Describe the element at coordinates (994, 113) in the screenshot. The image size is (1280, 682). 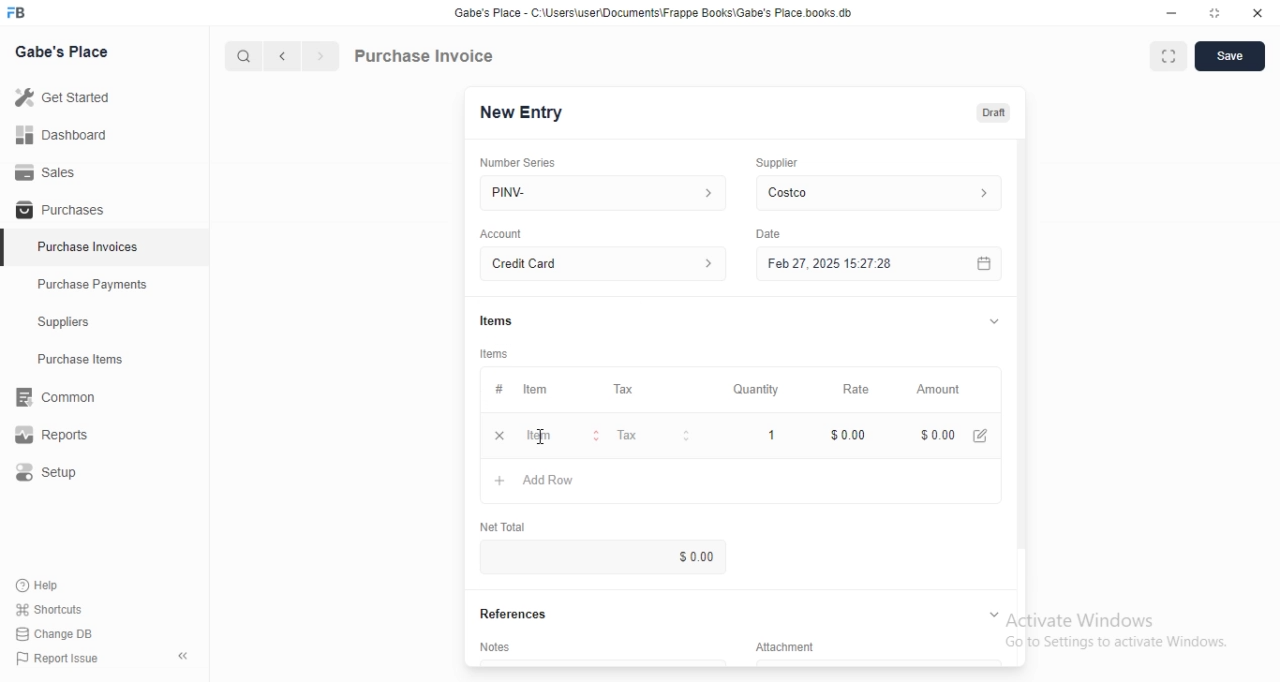
I see `Draft` at that location.